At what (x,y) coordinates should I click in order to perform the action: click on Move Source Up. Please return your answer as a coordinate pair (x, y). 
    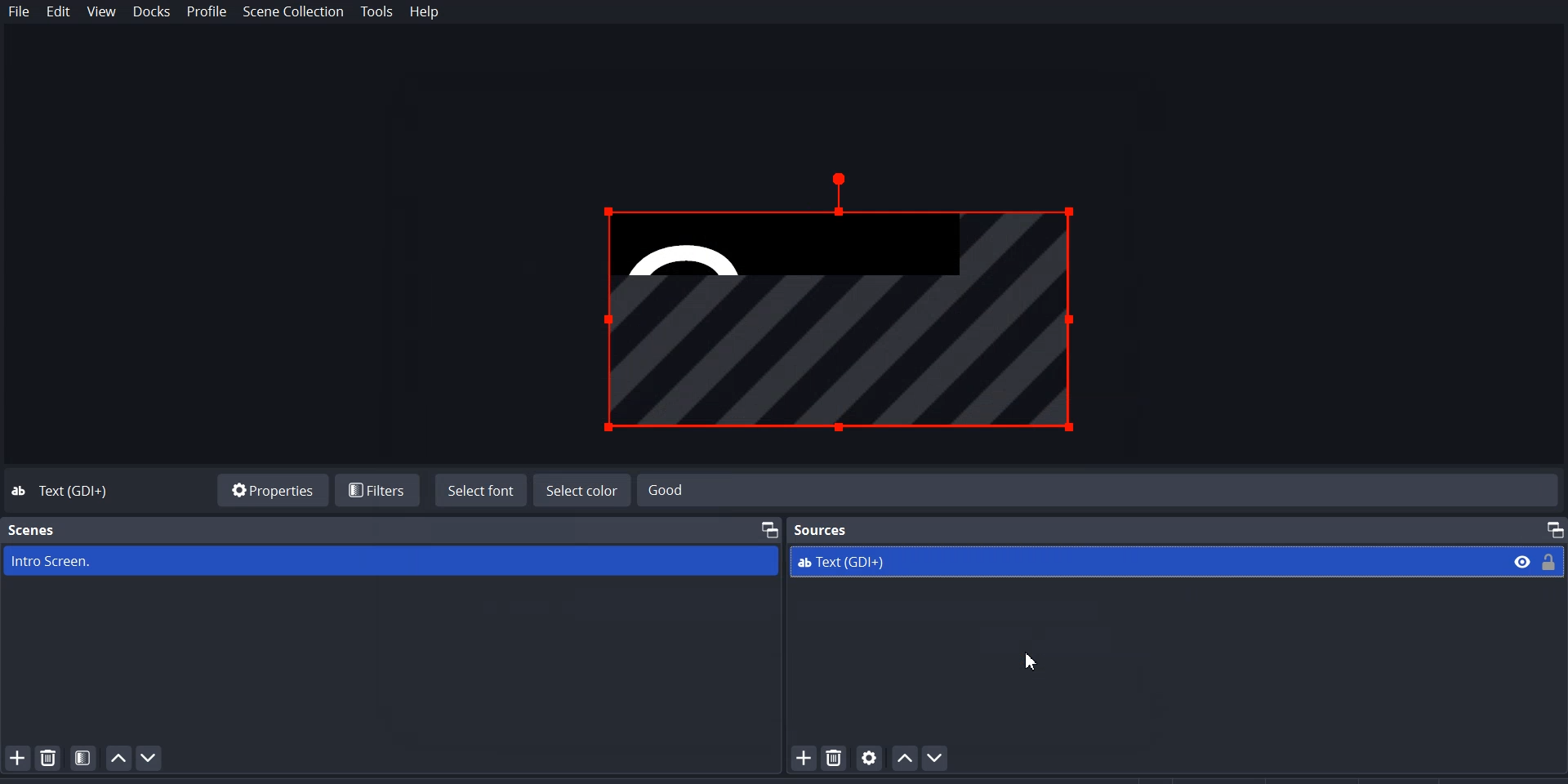
    Looking at the image, I should click on (903, 757).